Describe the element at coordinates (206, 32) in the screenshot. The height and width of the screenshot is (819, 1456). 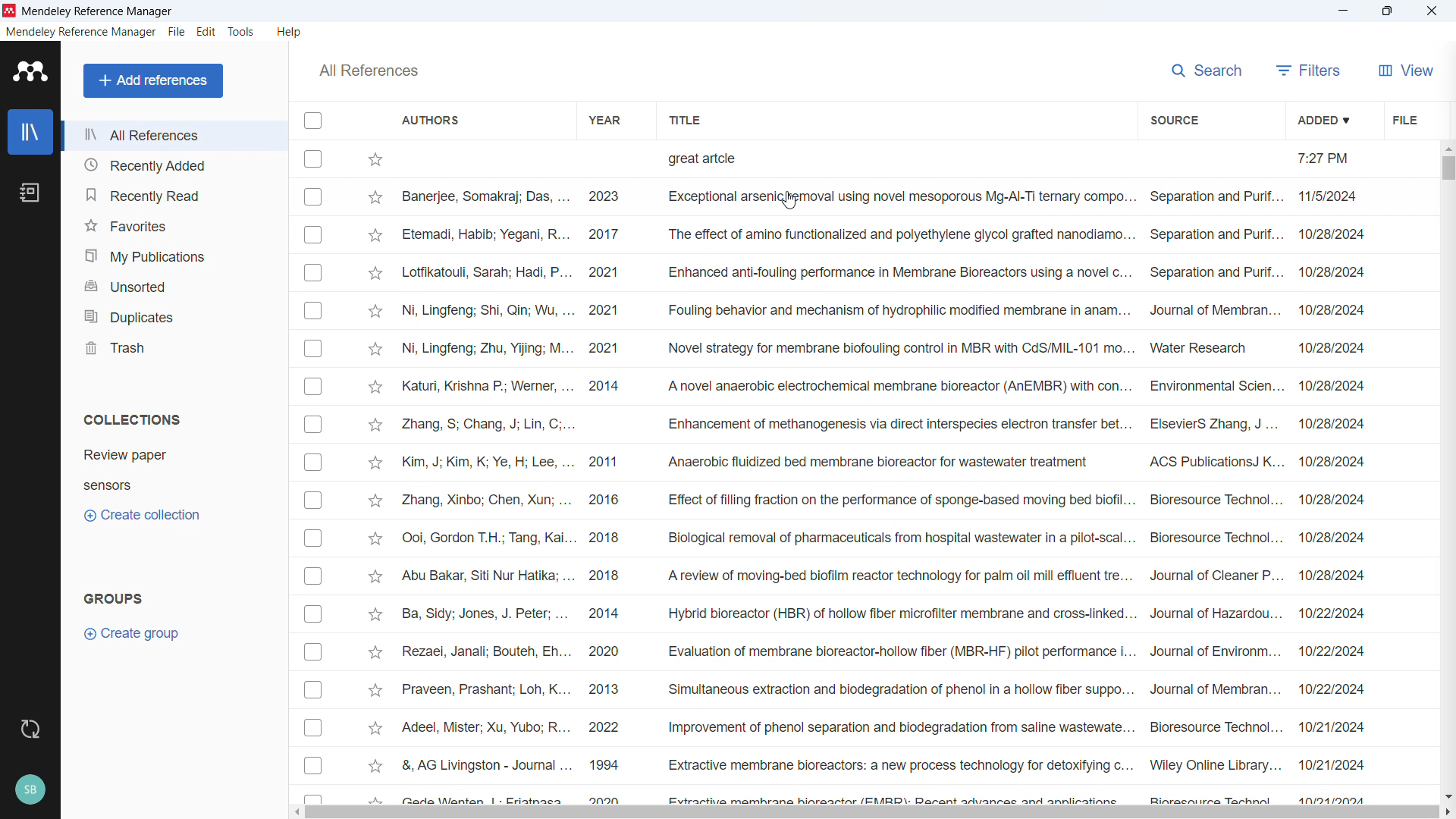
I see `edit` at that location.